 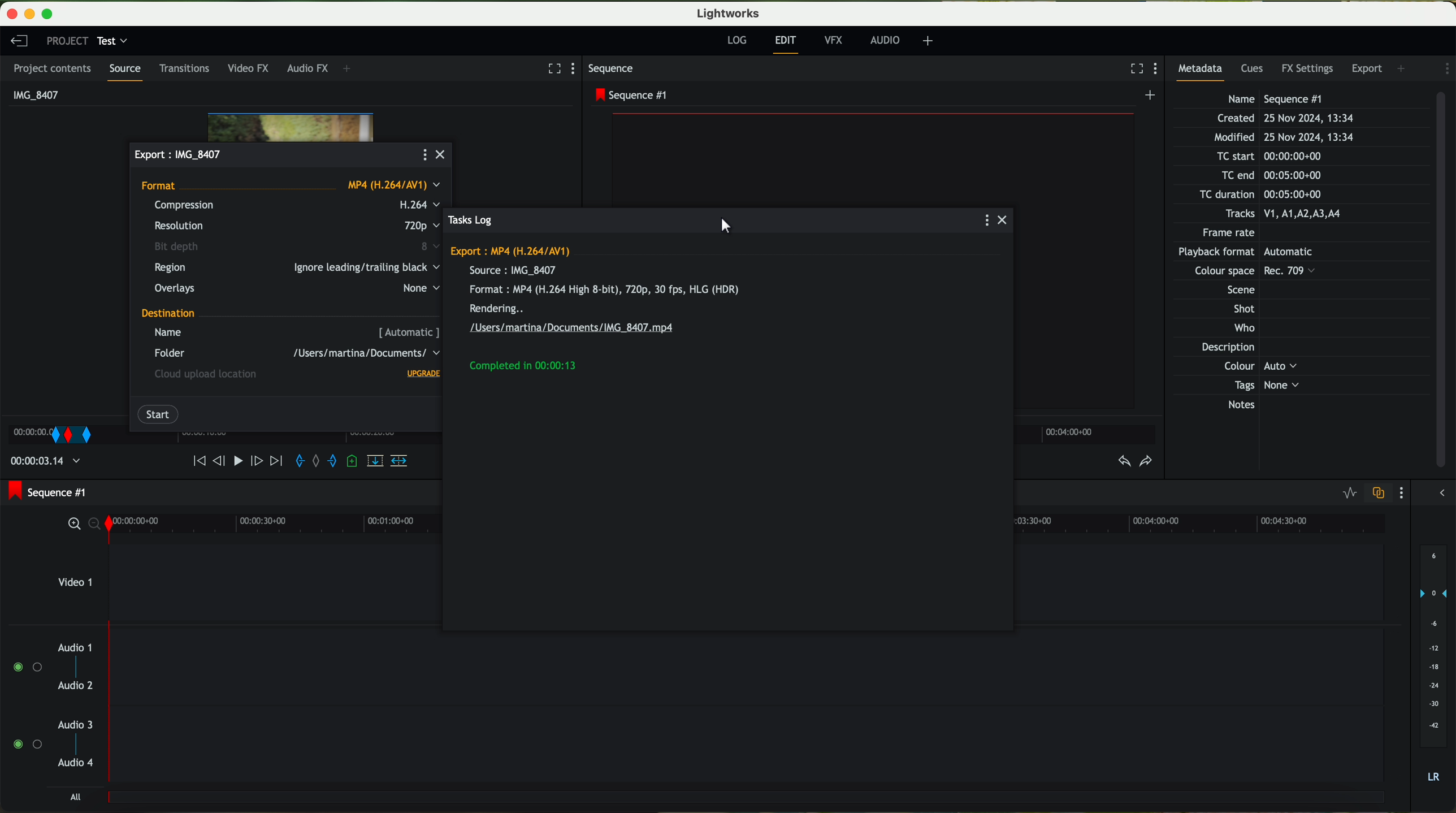 What do you see at coordinates (76, 687) in the screenshot?
I see `audio 2` at bounding box center [76, 687].